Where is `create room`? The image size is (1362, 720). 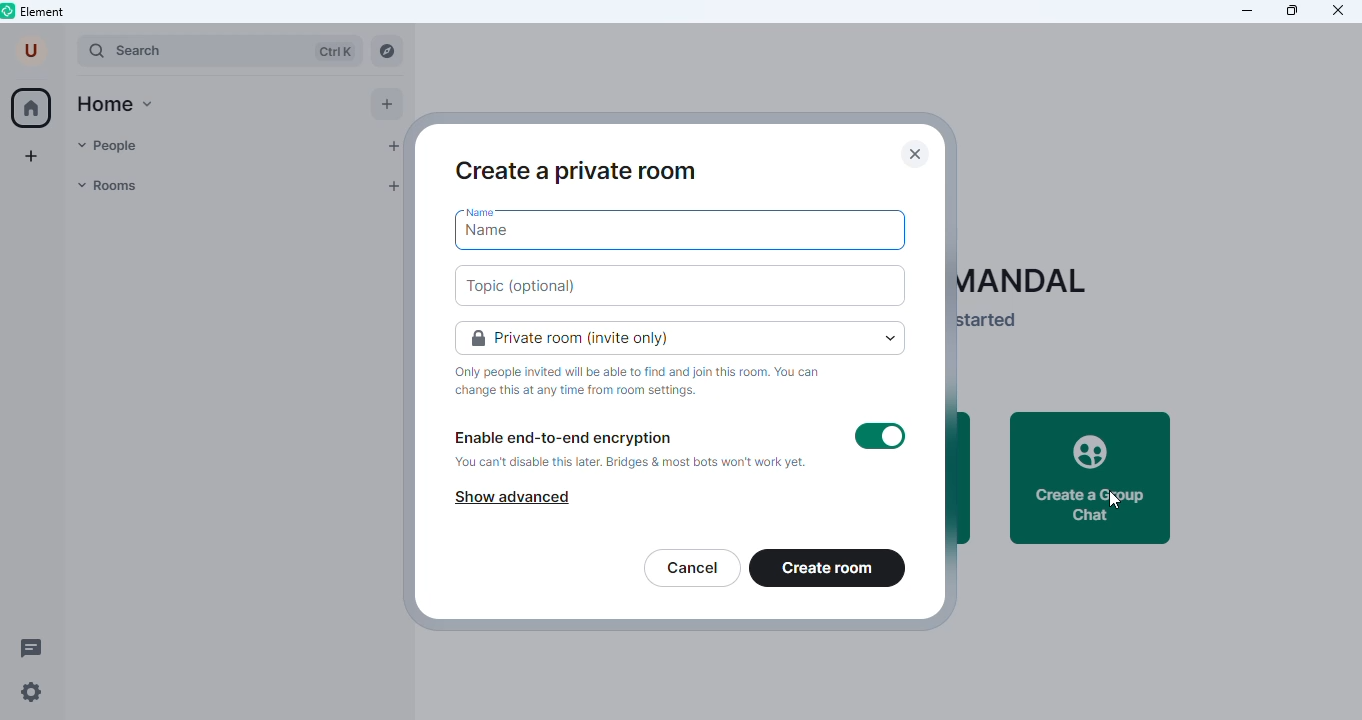 create room is located at coordinates (828, 568).